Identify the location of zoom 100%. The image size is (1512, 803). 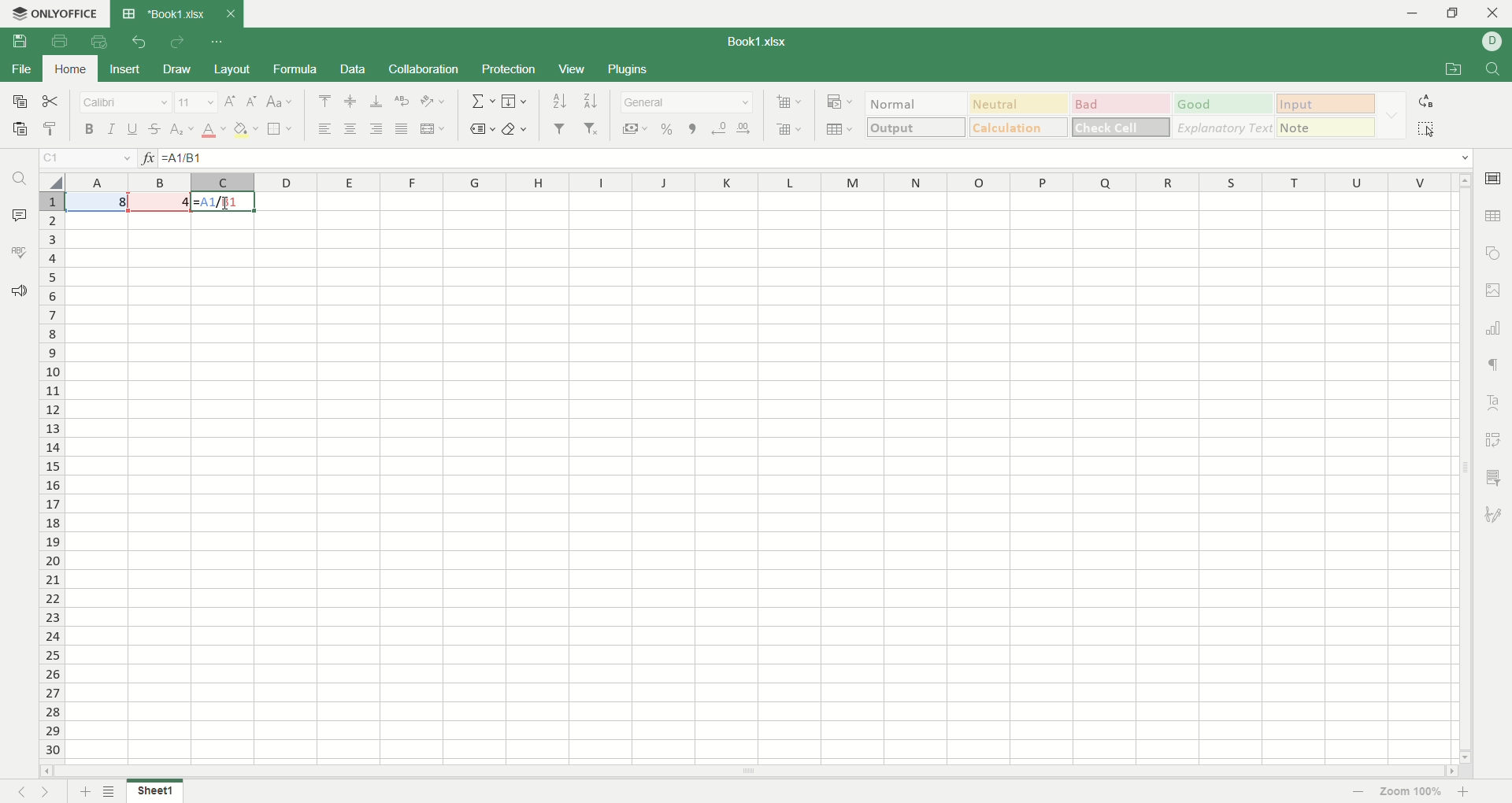
(1411, 790).